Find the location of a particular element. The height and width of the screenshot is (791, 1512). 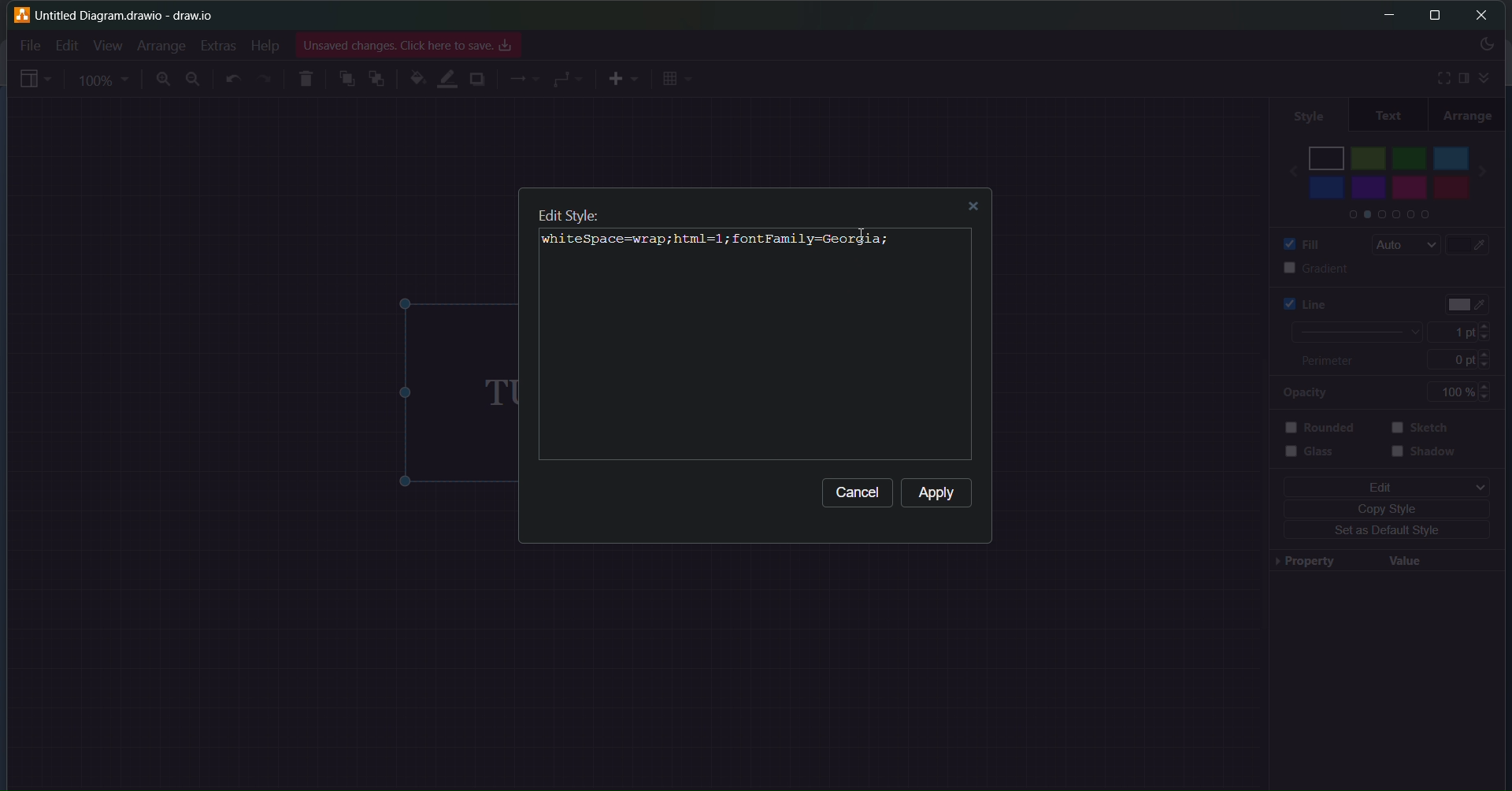

sidebar is located at coordinates (1463, 78).